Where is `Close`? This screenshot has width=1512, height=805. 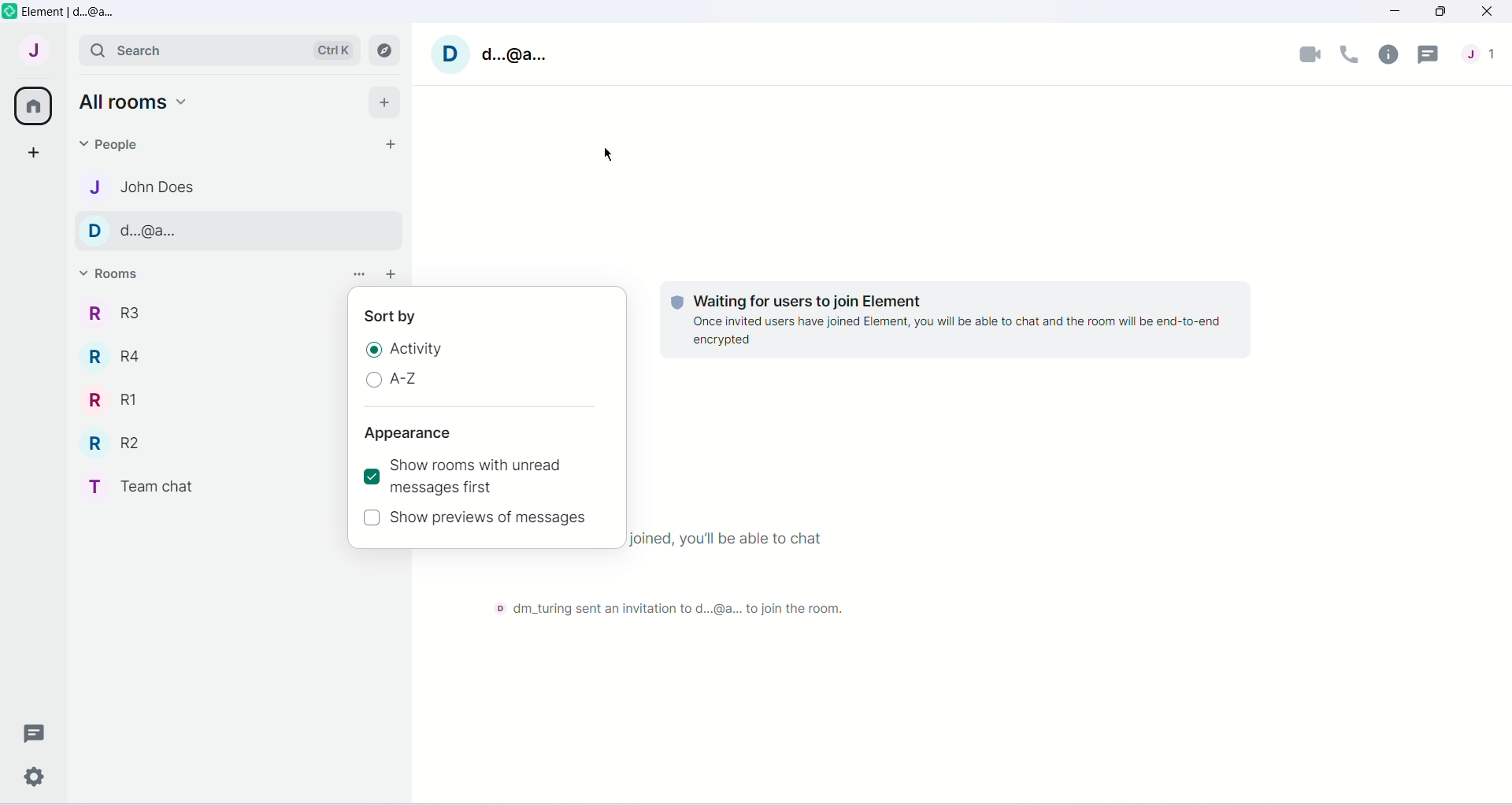
Close is located at coordinates (1489, 13).